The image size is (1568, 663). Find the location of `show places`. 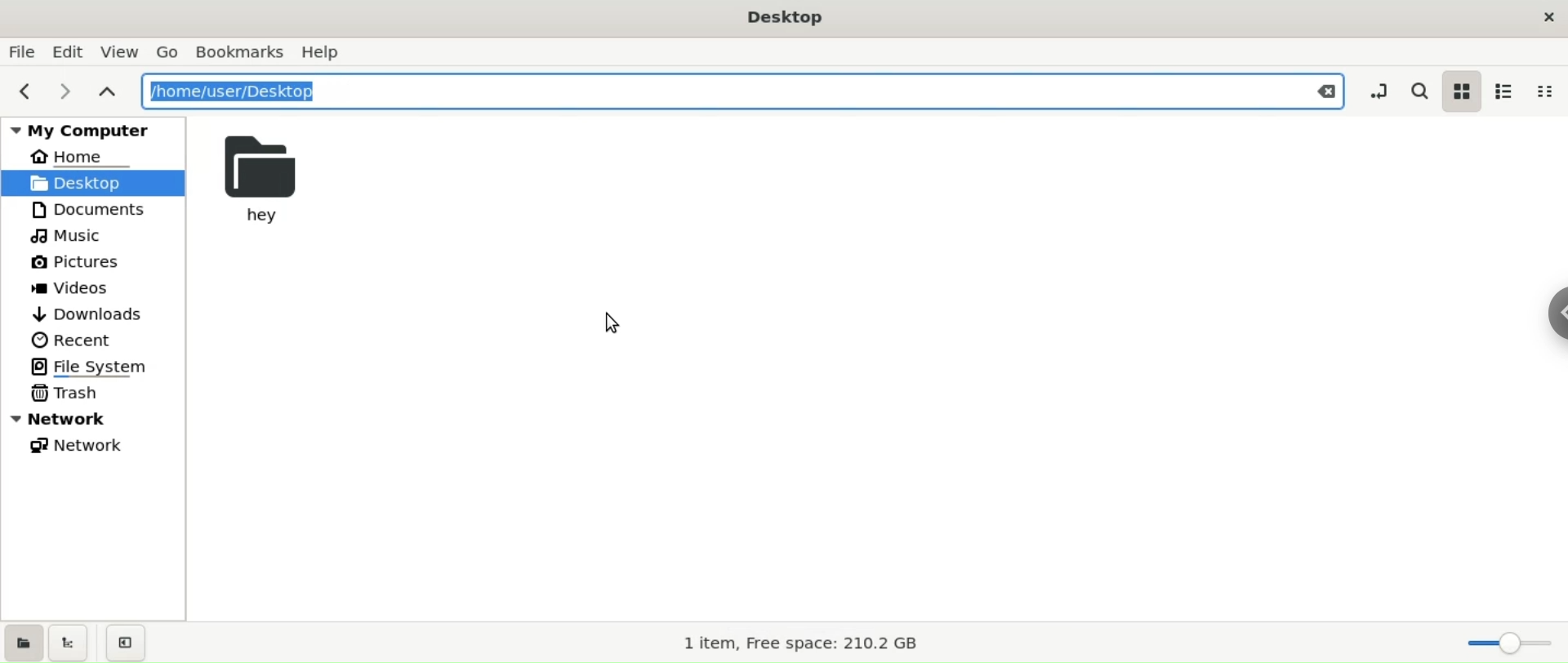

show places is located at coordinates (24, 644).